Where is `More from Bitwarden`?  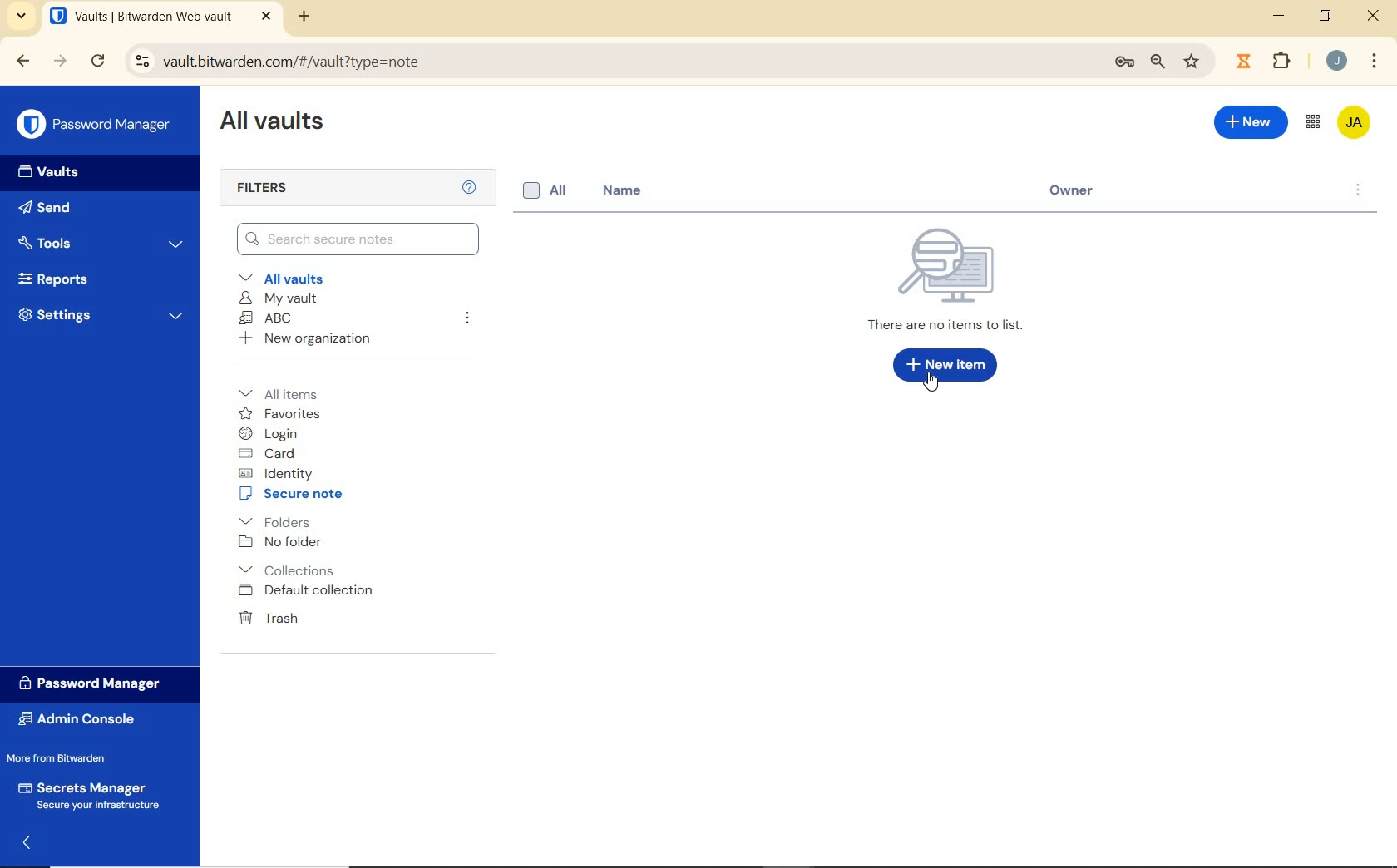
More from Bitwarden is located at coordinates (67, 757).